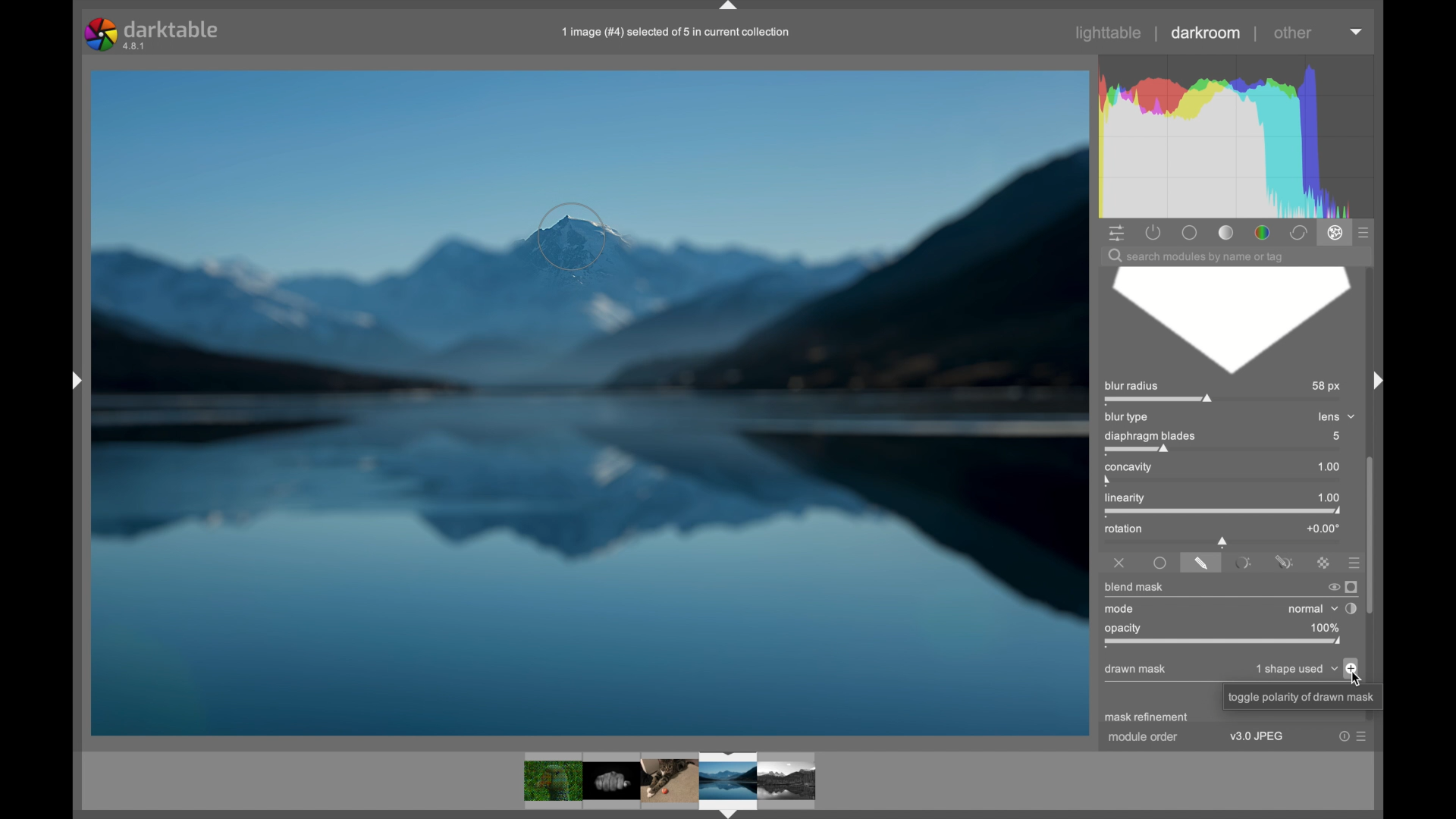 This screenshot has width=1456, height=819. What do you see at coordinates (1298, 233) in the screenshot?
I see `correct` at bounding box center [1298, 233].